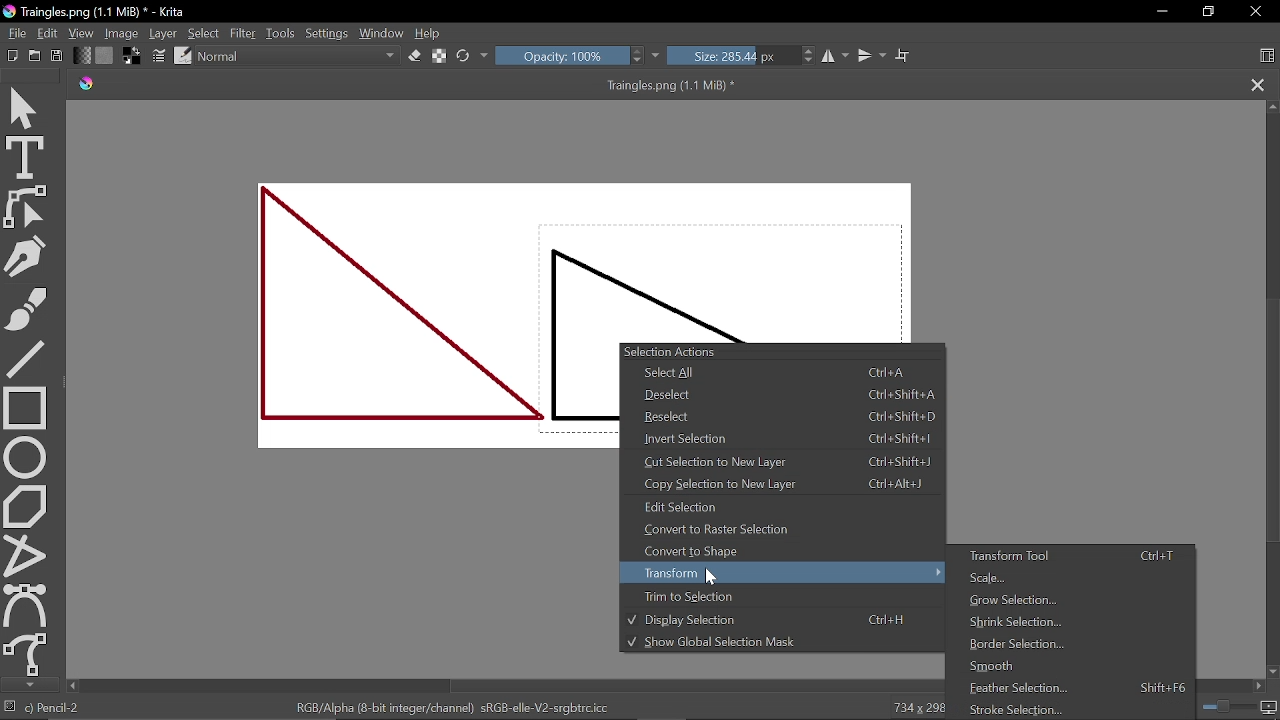  I want to click on Transform, so click(785, 572).